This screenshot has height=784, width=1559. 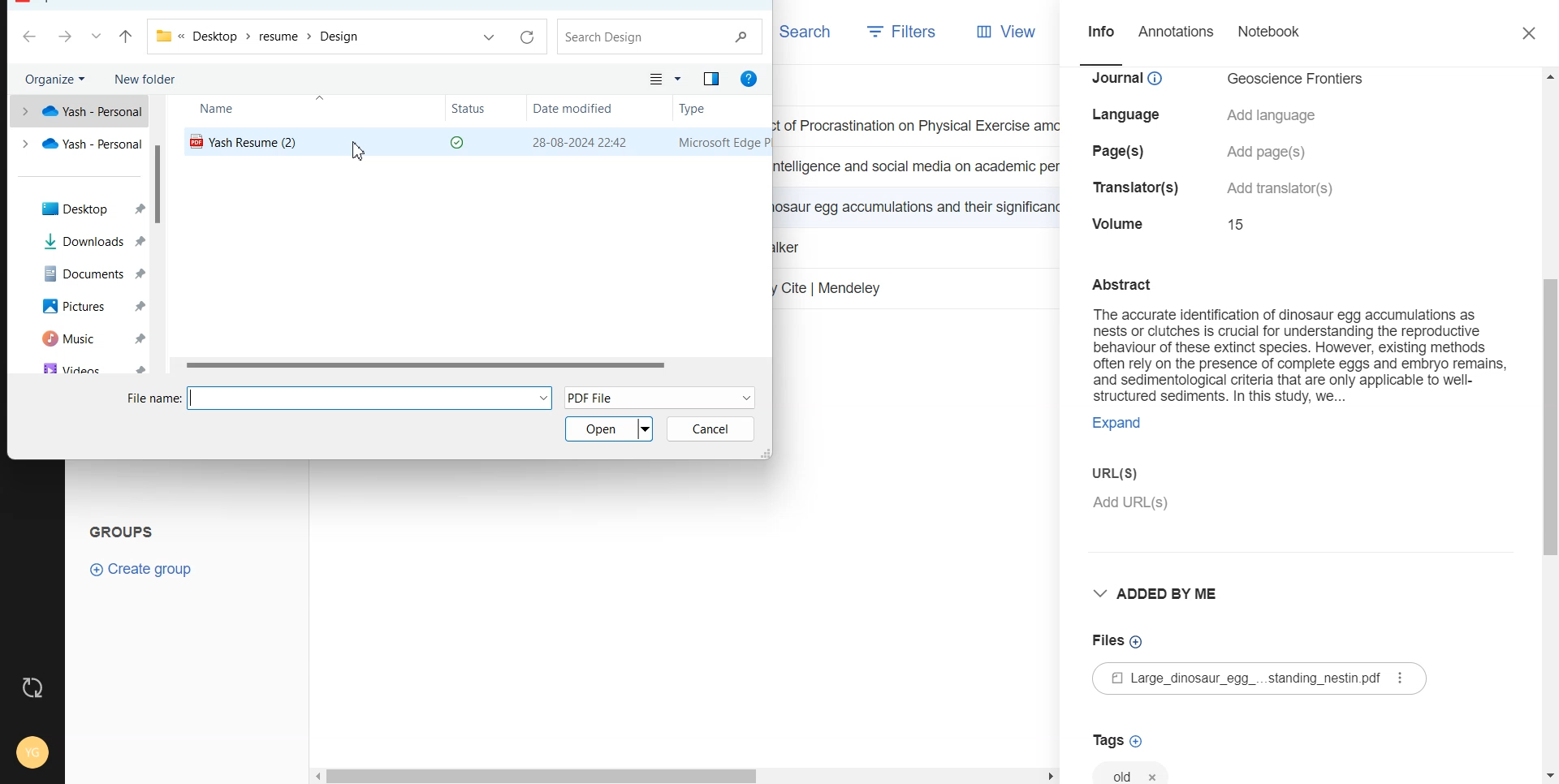 What do you see at coordinates (1120, 472) in the screenshot?
I see `urls` at bounding box center [1120, 472].